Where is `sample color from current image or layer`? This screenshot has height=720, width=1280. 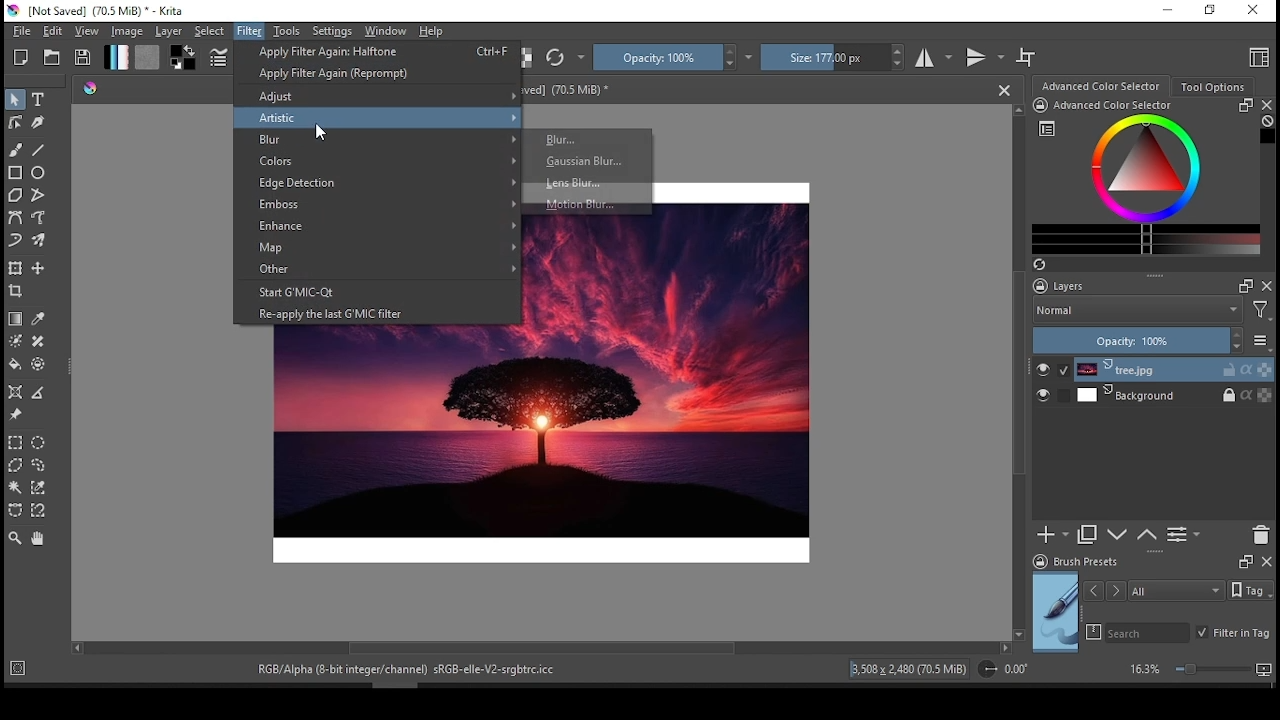
sample color from current image or layer is located at coordinates (39, 318).